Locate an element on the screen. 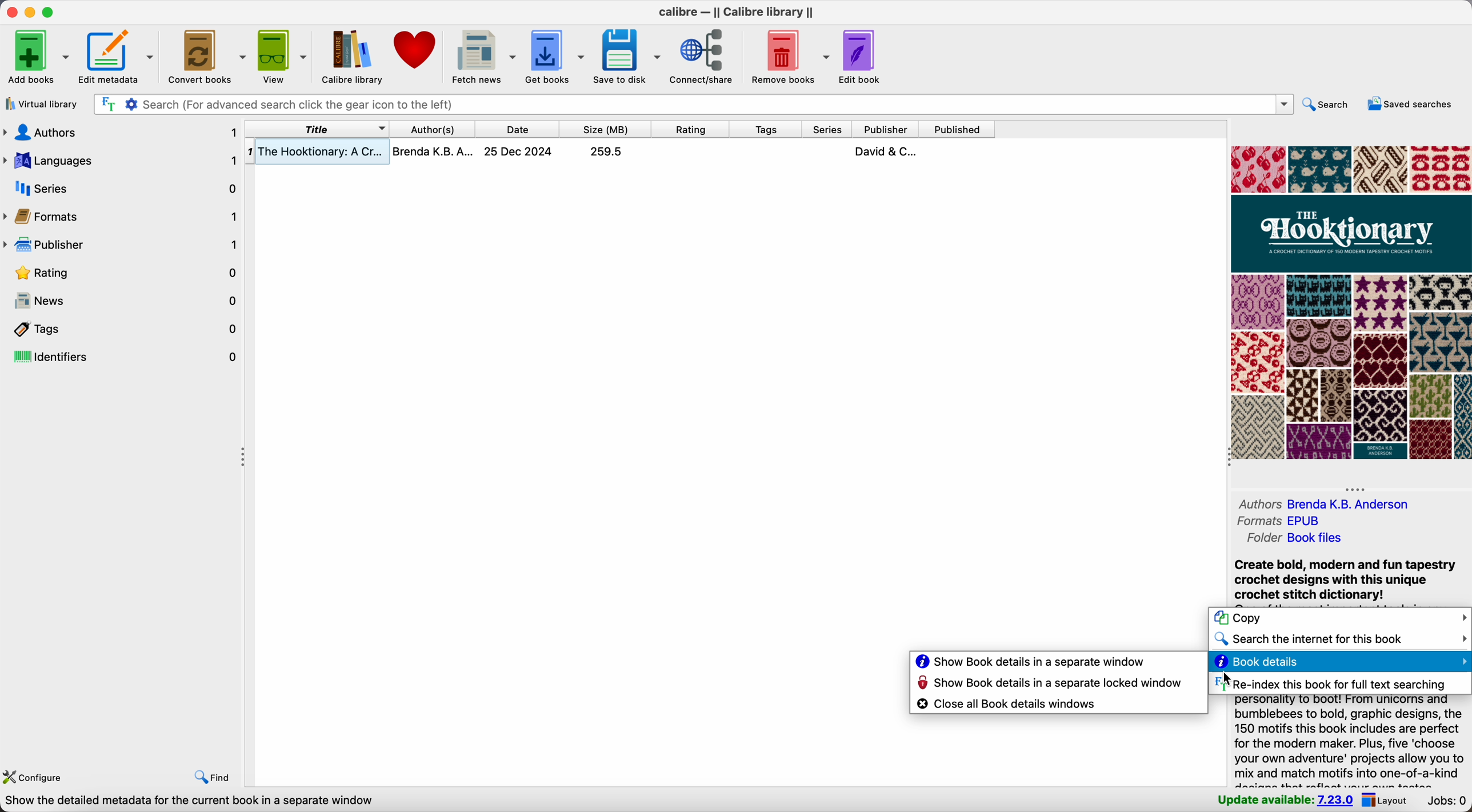 Image resolution: width=1472 pixels, height=812 pixels. configure is located at coordinates (38, 778).